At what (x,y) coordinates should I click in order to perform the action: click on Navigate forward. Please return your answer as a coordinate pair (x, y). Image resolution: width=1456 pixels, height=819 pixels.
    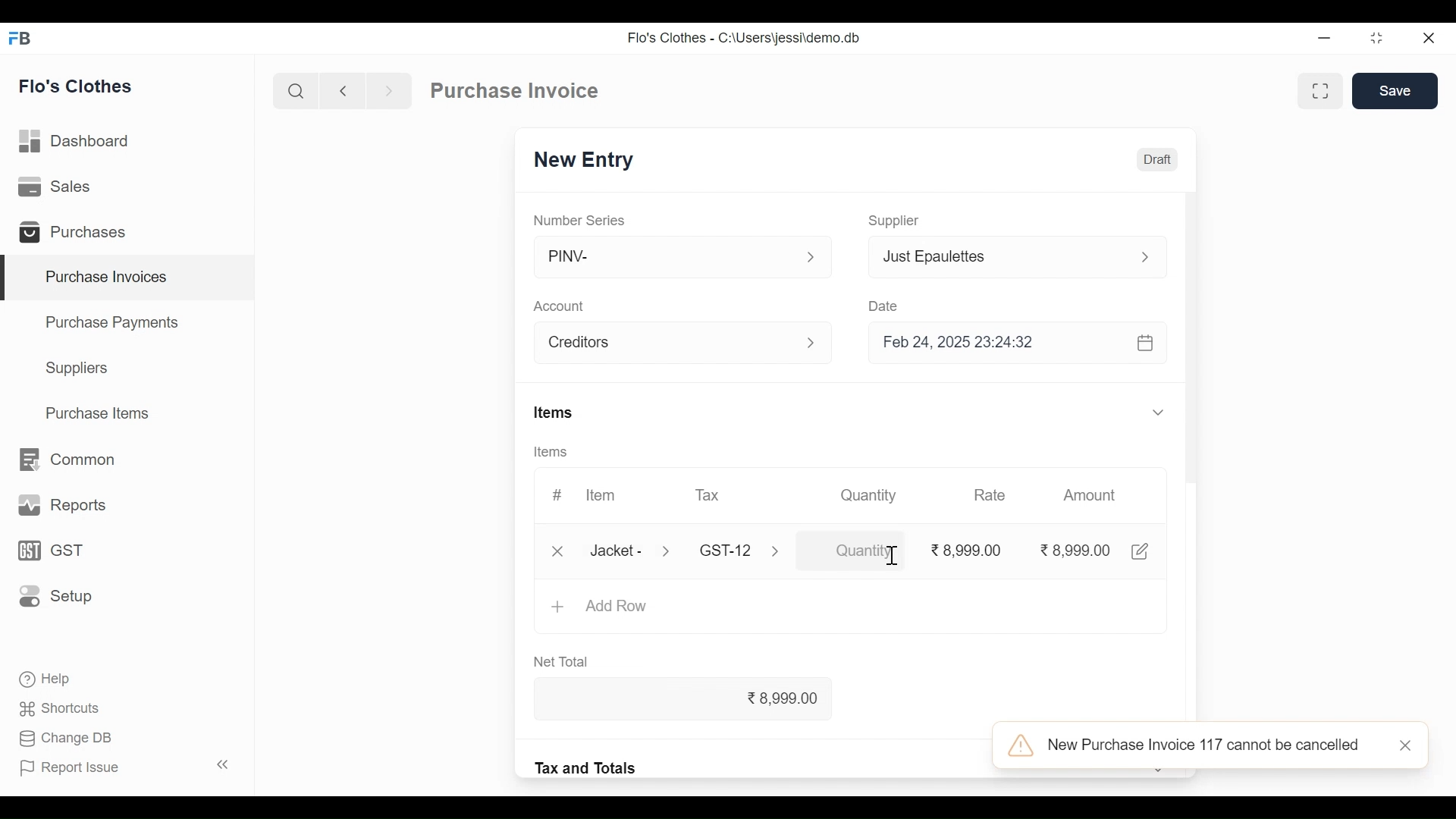
    Looking at the image, I should click on (388, 91).